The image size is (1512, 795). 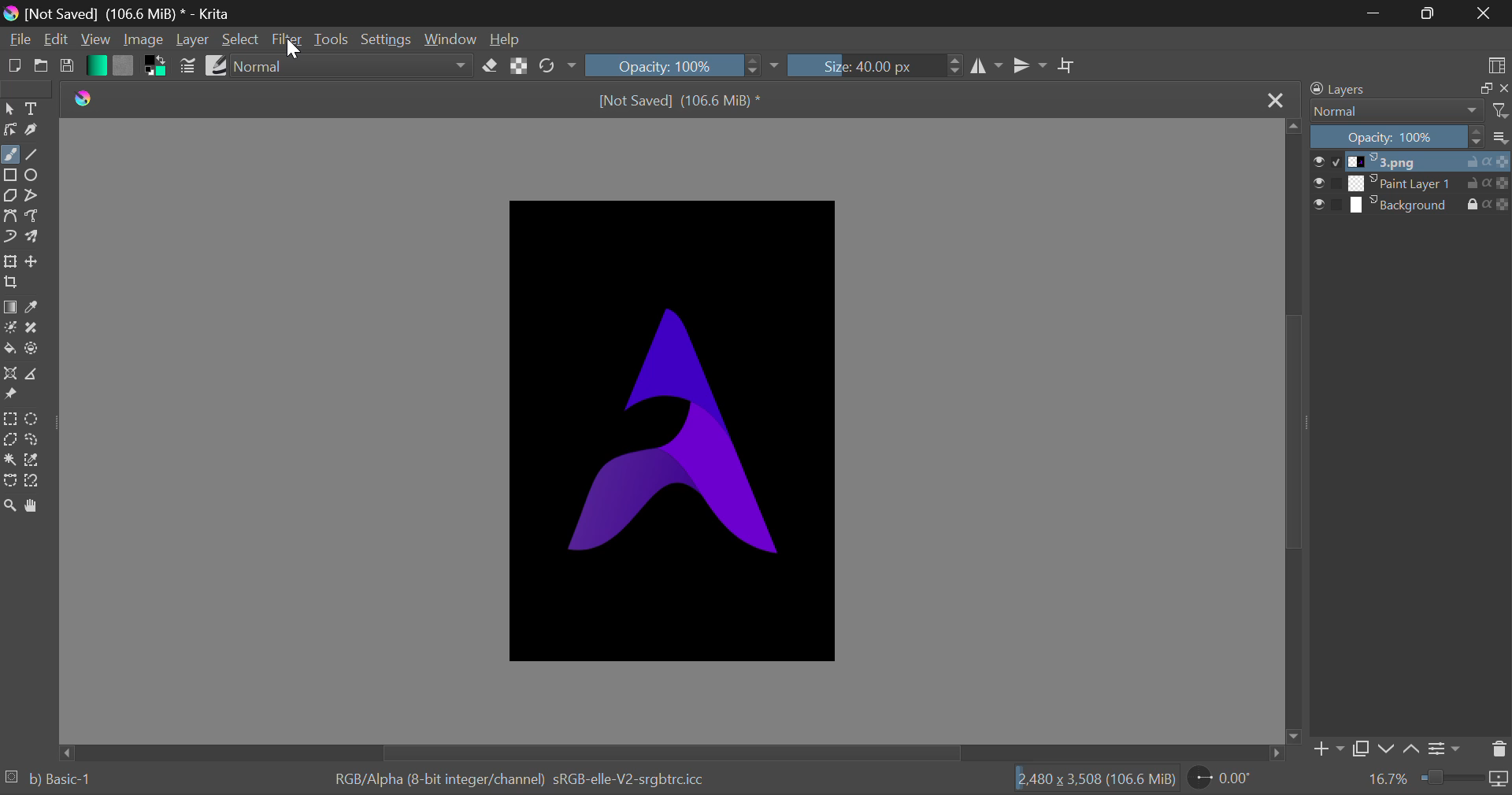 What do you see at coordinates (877, 66) in the screenshot?
I see `Size: 40.00 px` at bounding box center [877, 66].